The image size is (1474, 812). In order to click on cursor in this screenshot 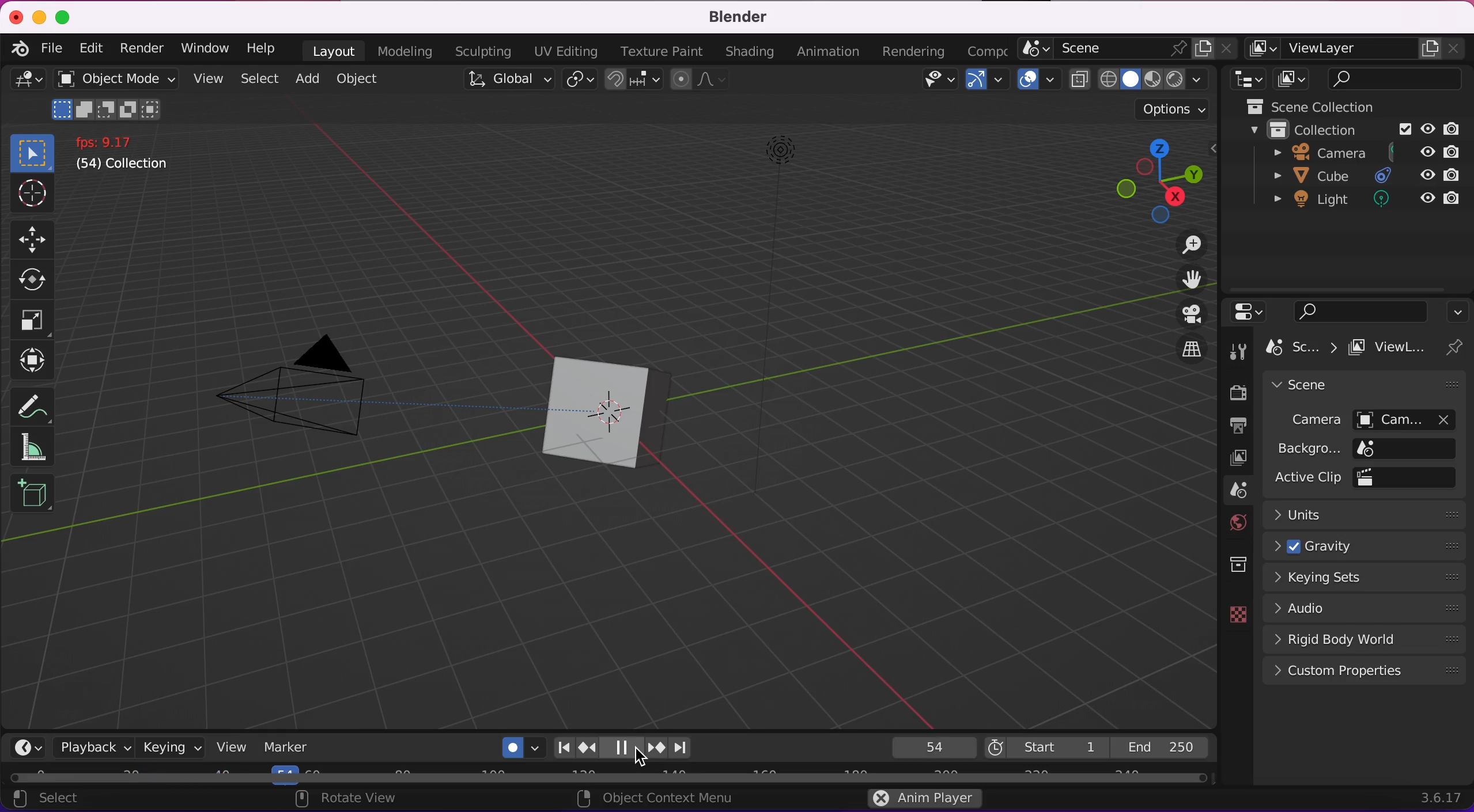, I will do `click(36, 196)`.